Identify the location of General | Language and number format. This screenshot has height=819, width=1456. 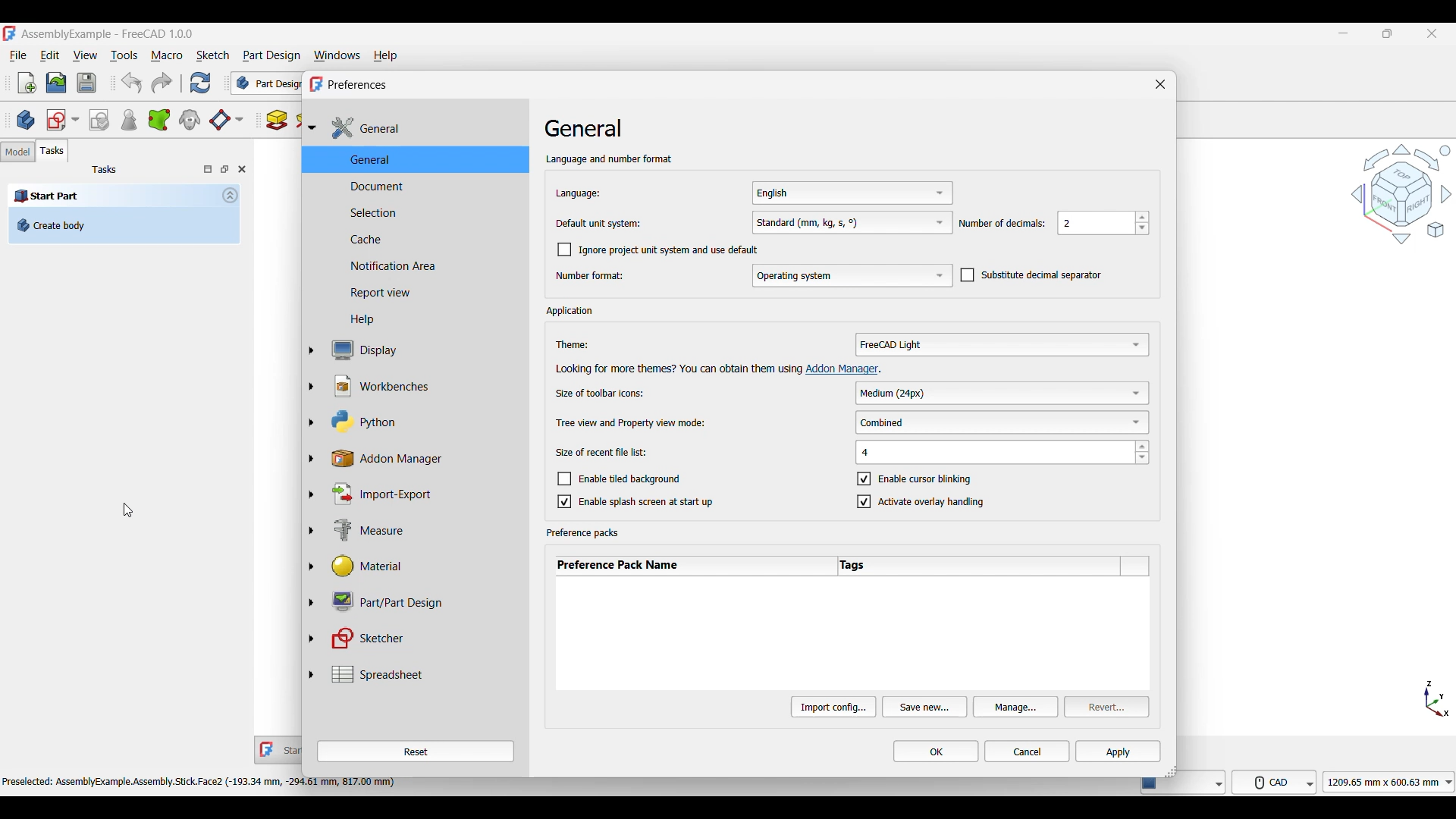
(608, 141).